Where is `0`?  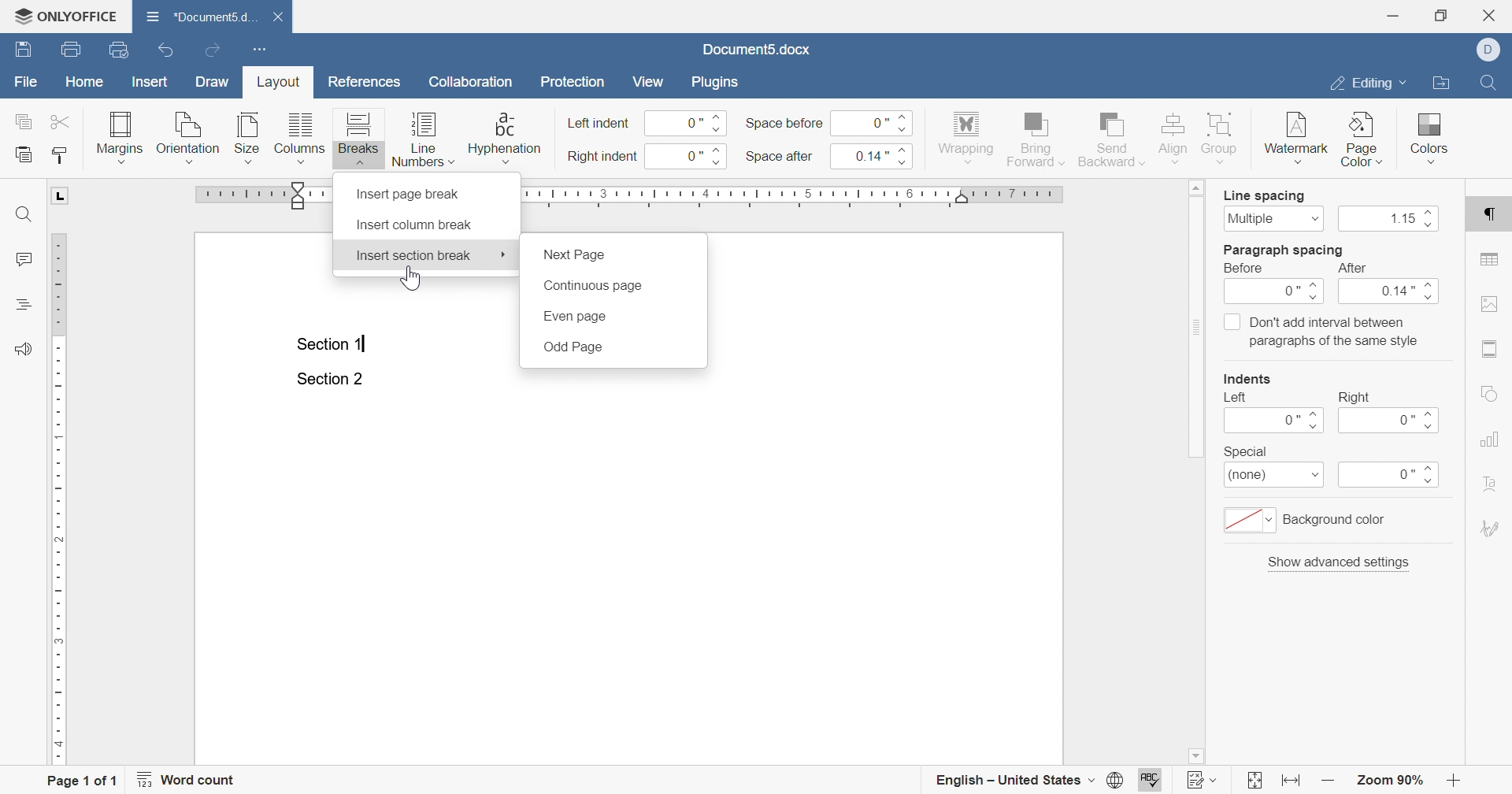 0 is located at coordinates (1392, 421).